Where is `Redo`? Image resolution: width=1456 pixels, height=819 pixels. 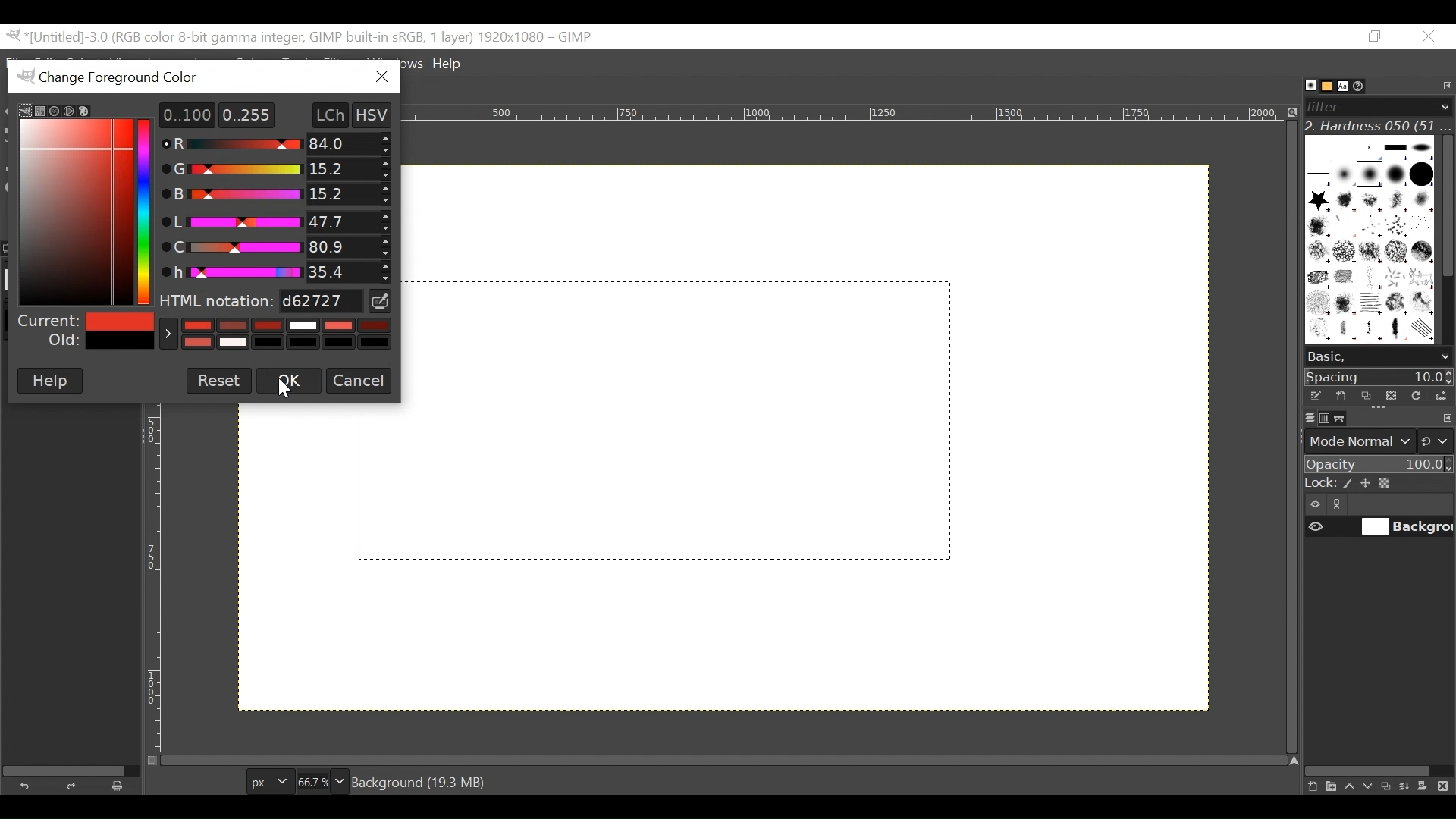
Redo is located at coordinates (74, 786).